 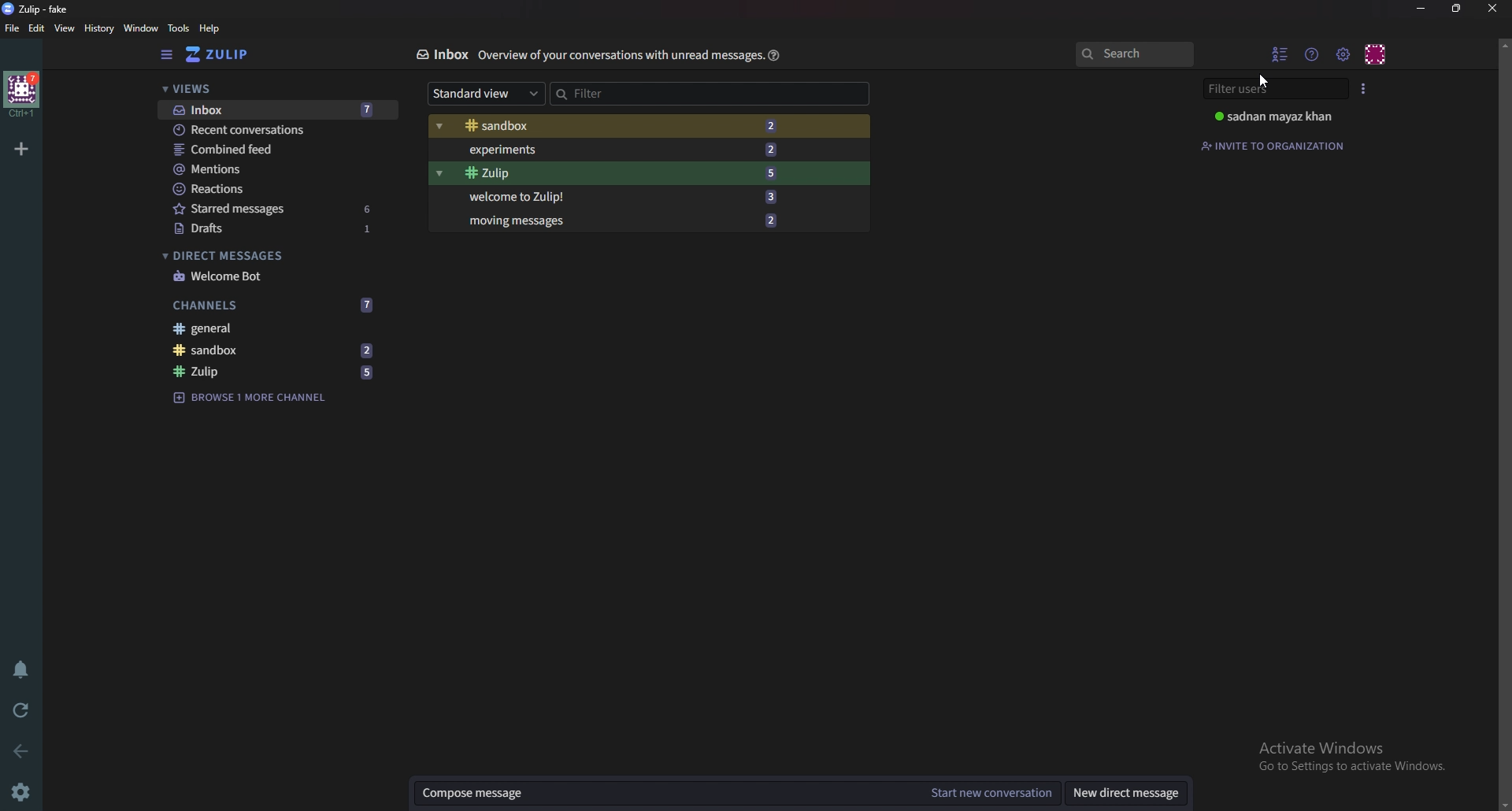 I want to click on personal menu, so click(x=1377, y=52).